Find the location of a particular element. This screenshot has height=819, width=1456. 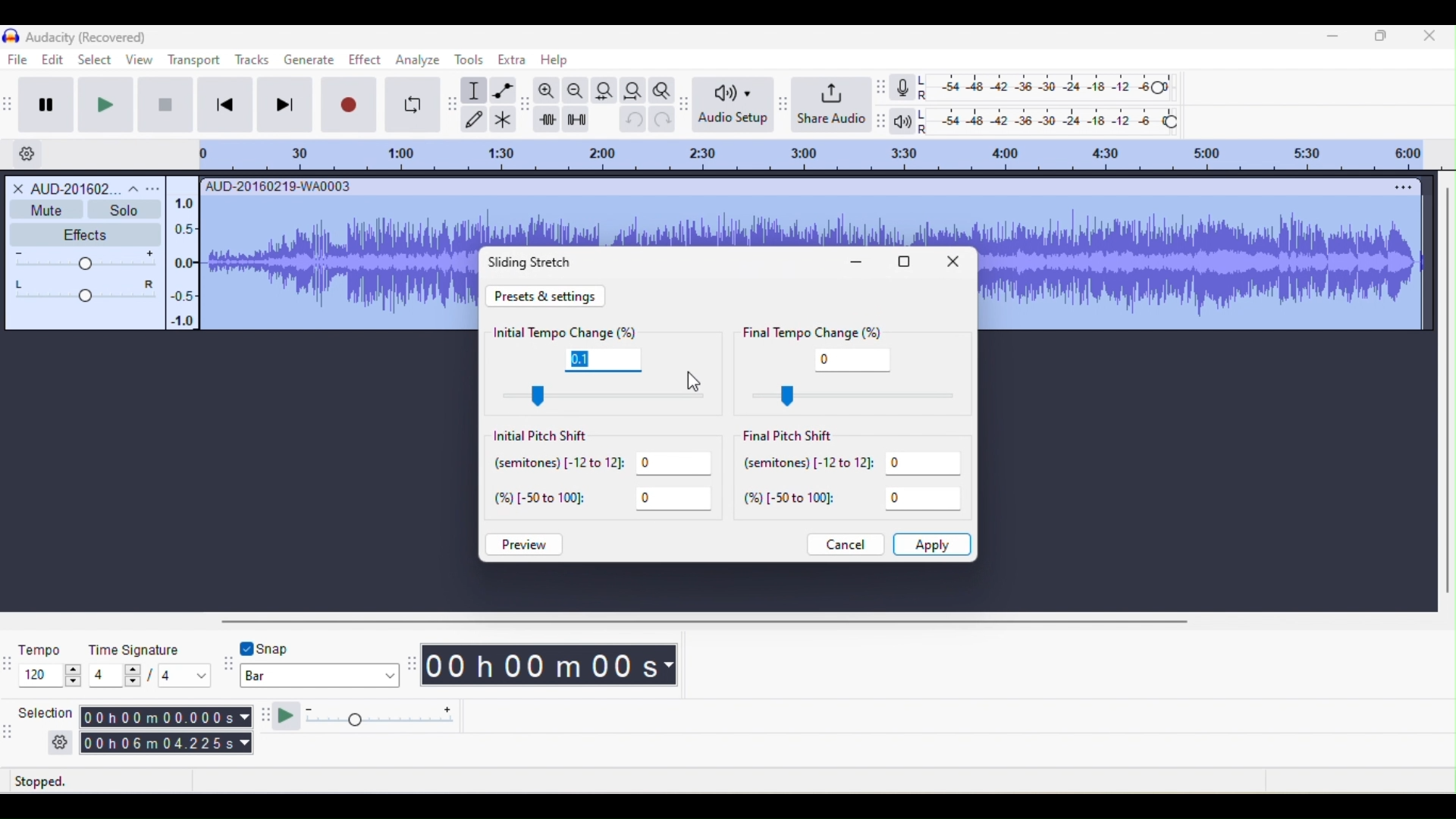

audacity edit toolbar is located at coordinates (526, 106).